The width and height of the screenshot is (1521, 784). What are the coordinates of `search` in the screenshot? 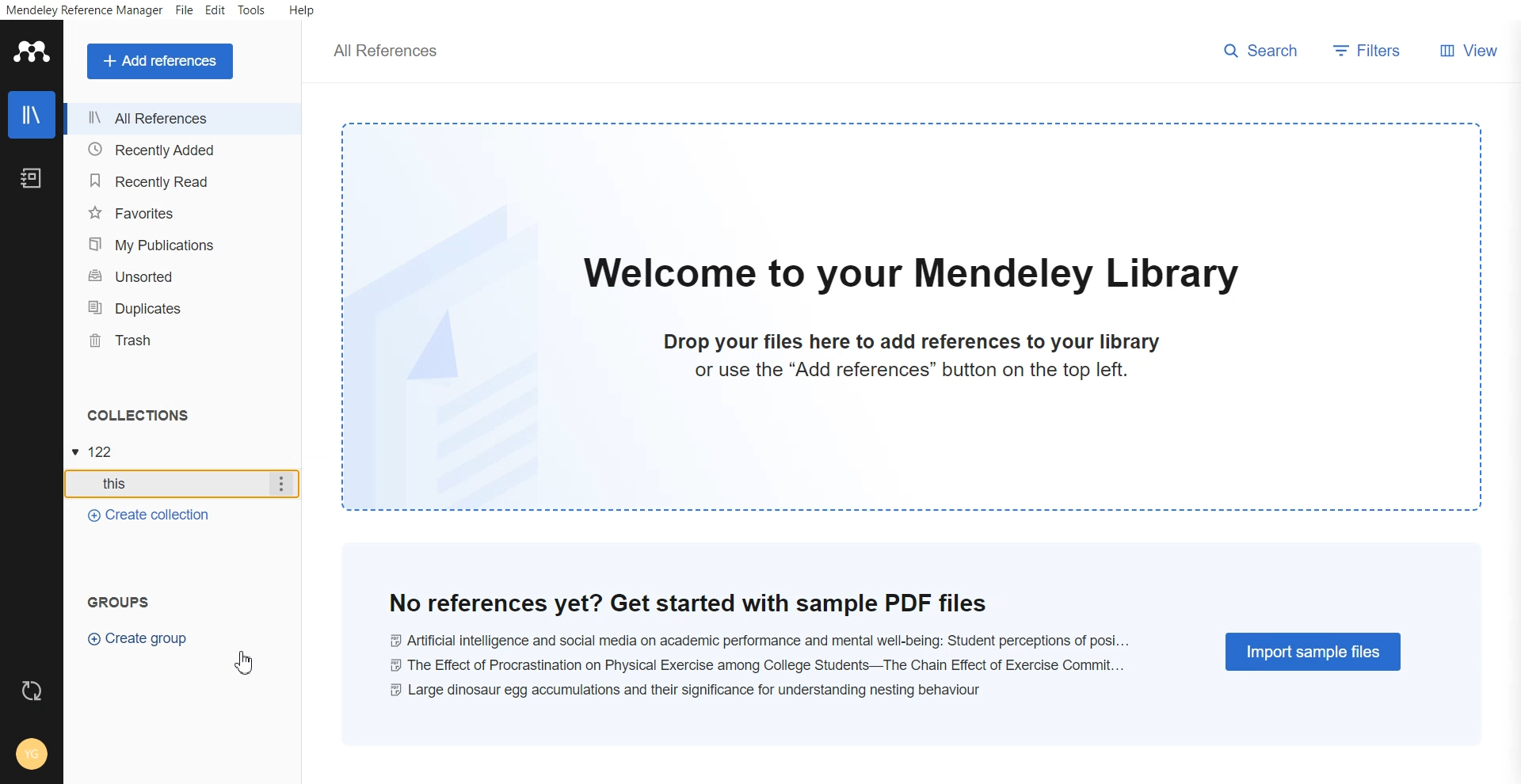 It's located at (1259, 48).